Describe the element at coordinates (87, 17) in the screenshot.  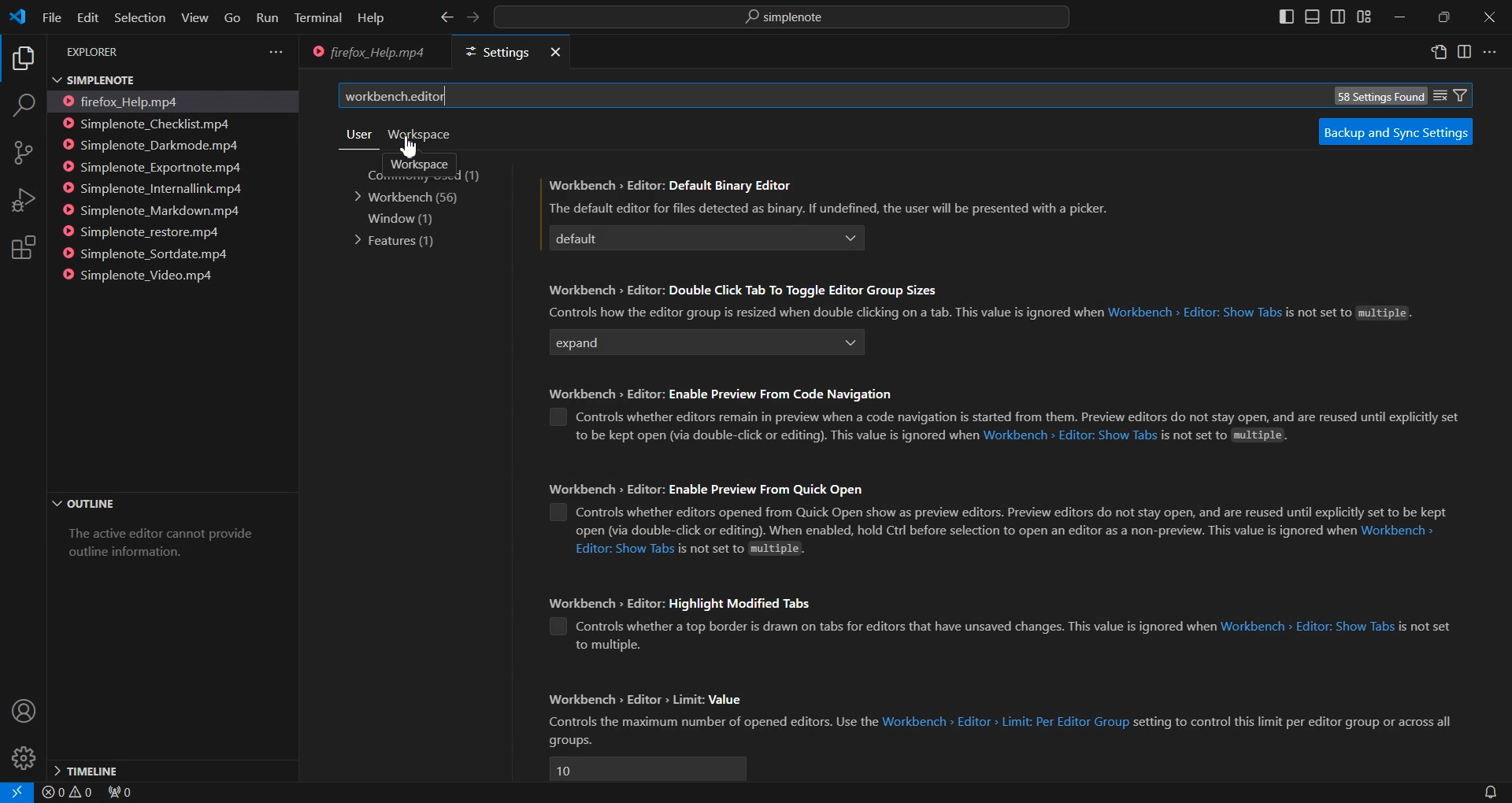
I see `Edit` at that location.